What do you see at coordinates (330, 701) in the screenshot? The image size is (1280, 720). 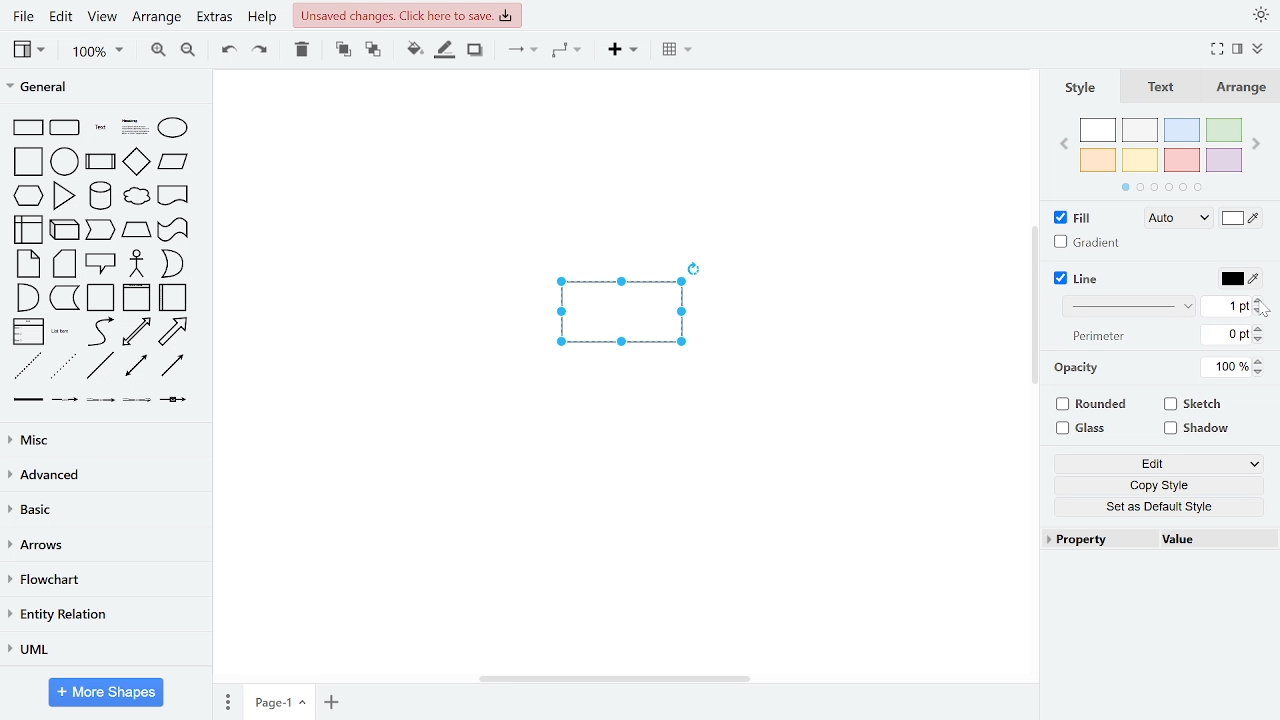 I see `add page` at bounding box center [330, 701].